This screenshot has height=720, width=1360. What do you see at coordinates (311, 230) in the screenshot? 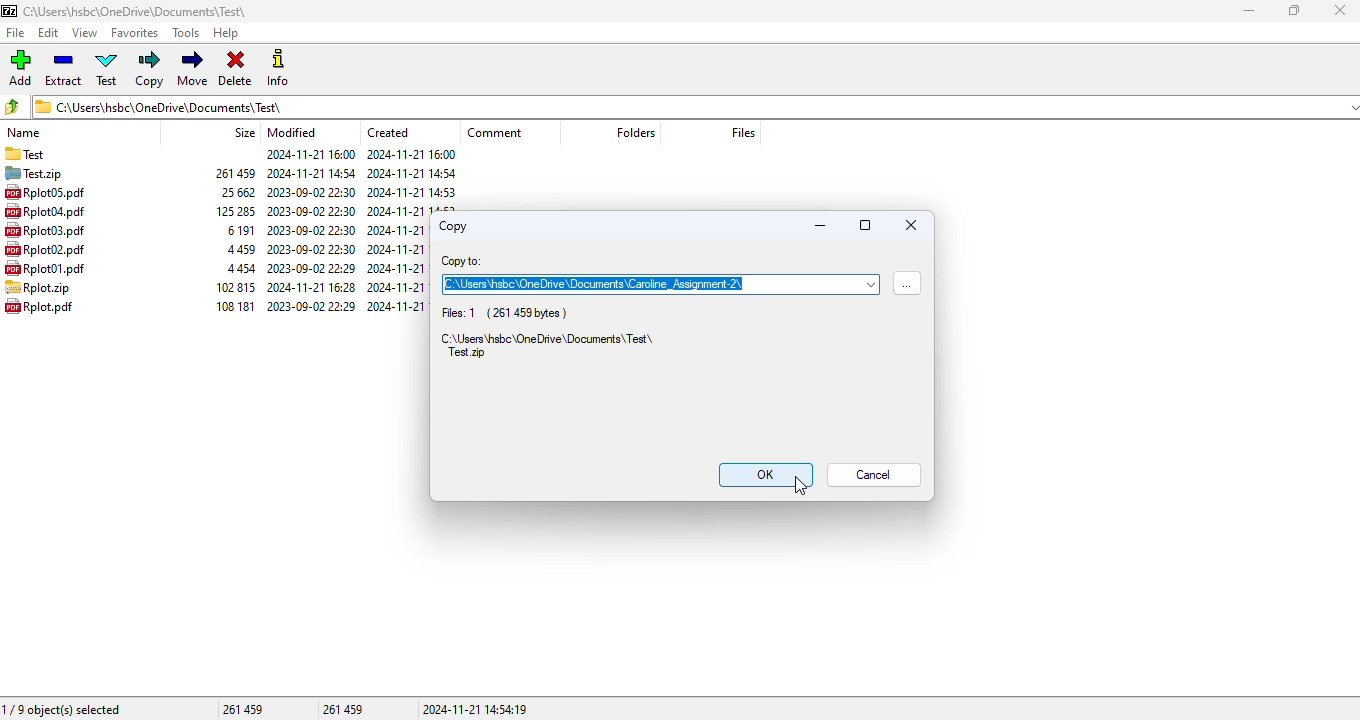
I see `modified date & time` at bounding box center [311, 230].